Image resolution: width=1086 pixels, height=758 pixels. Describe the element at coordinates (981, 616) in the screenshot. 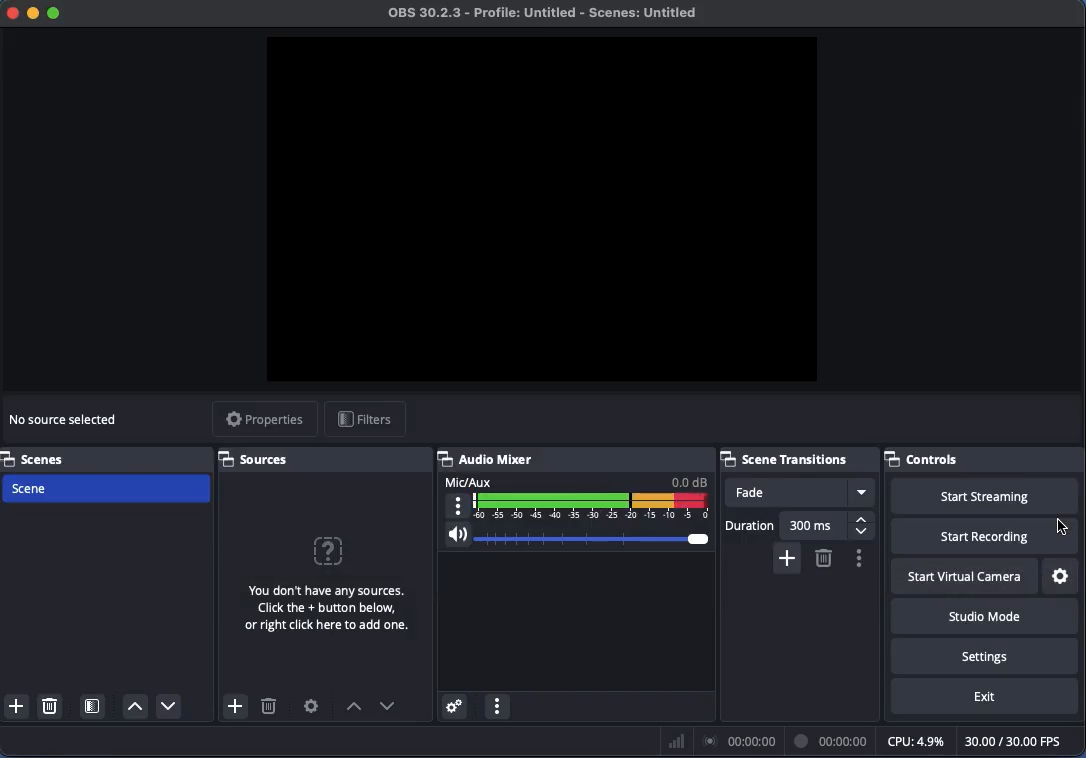

I see `Studio mode` at that location.